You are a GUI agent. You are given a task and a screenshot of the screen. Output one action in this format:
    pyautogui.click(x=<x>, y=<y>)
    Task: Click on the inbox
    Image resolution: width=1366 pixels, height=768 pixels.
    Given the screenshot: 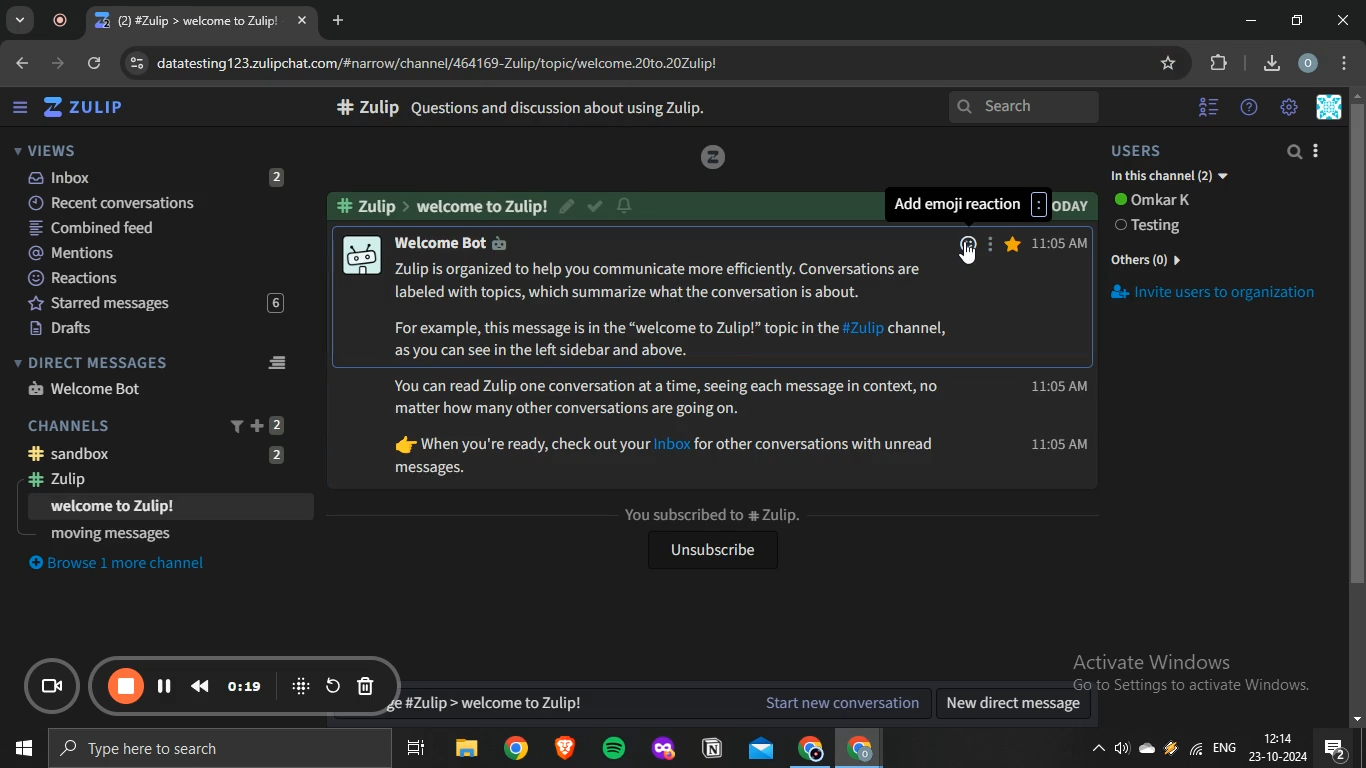 What is the action you would take?
    pyautogui.click(x=153, y=177)
    